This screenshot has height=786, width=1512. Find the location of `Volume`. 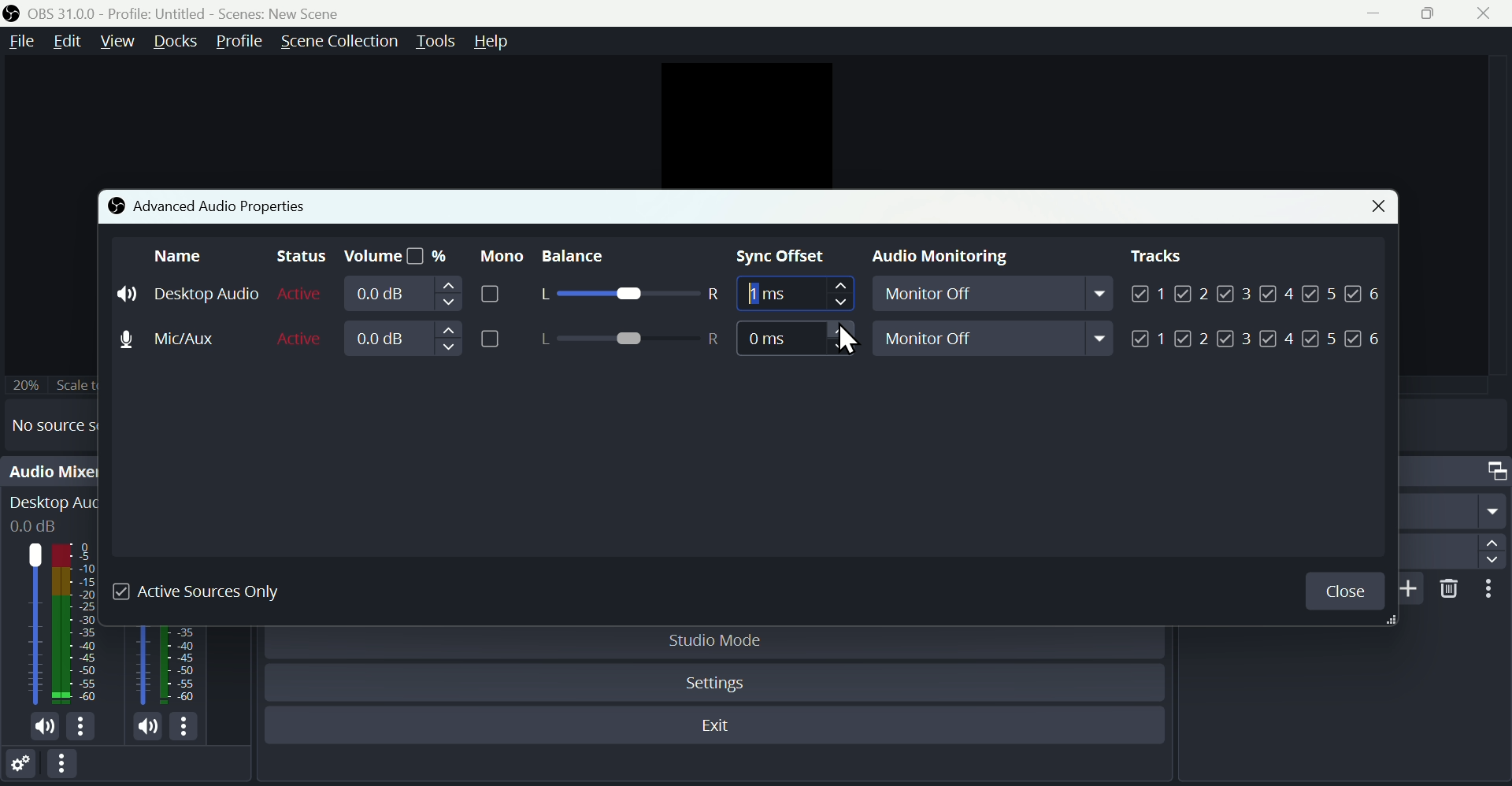

Volume is located at coordinates (424, 339).